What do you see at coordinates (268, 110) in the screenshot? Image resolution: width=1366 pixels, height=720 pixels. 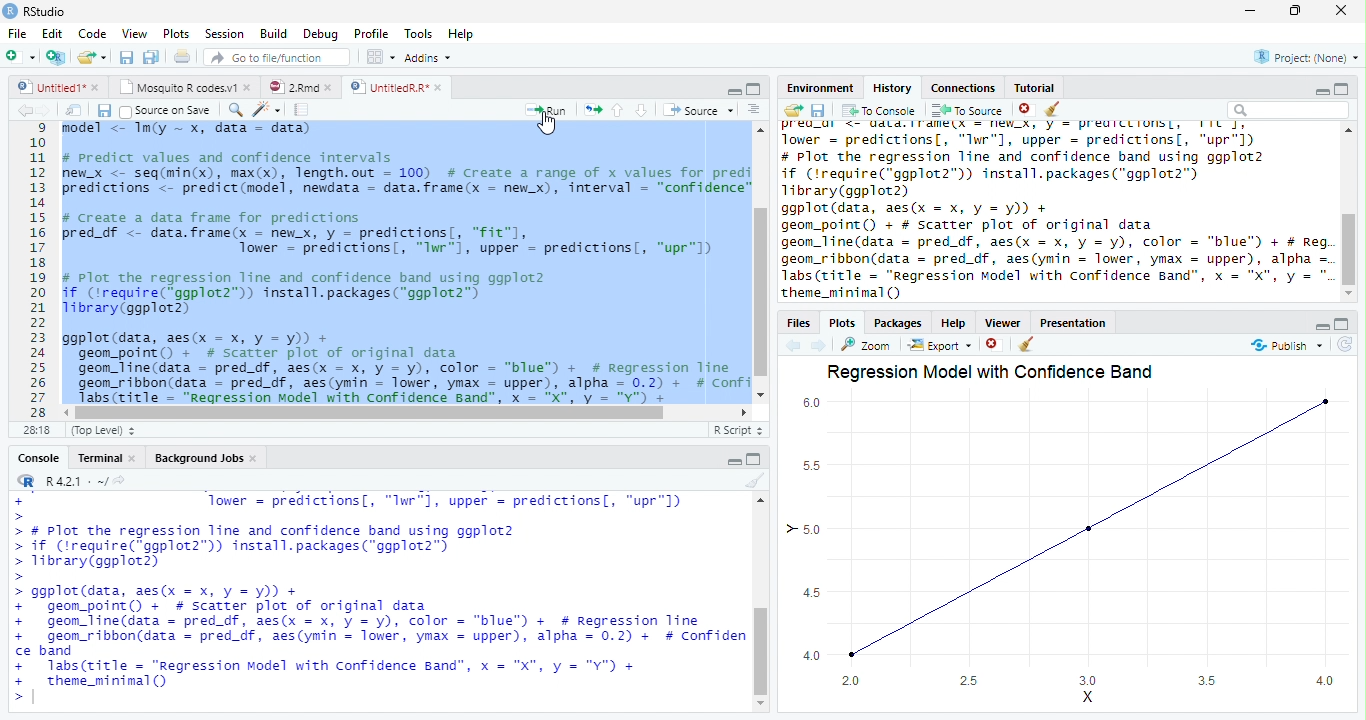 I see `Code ` at bounding box center [268, 110].